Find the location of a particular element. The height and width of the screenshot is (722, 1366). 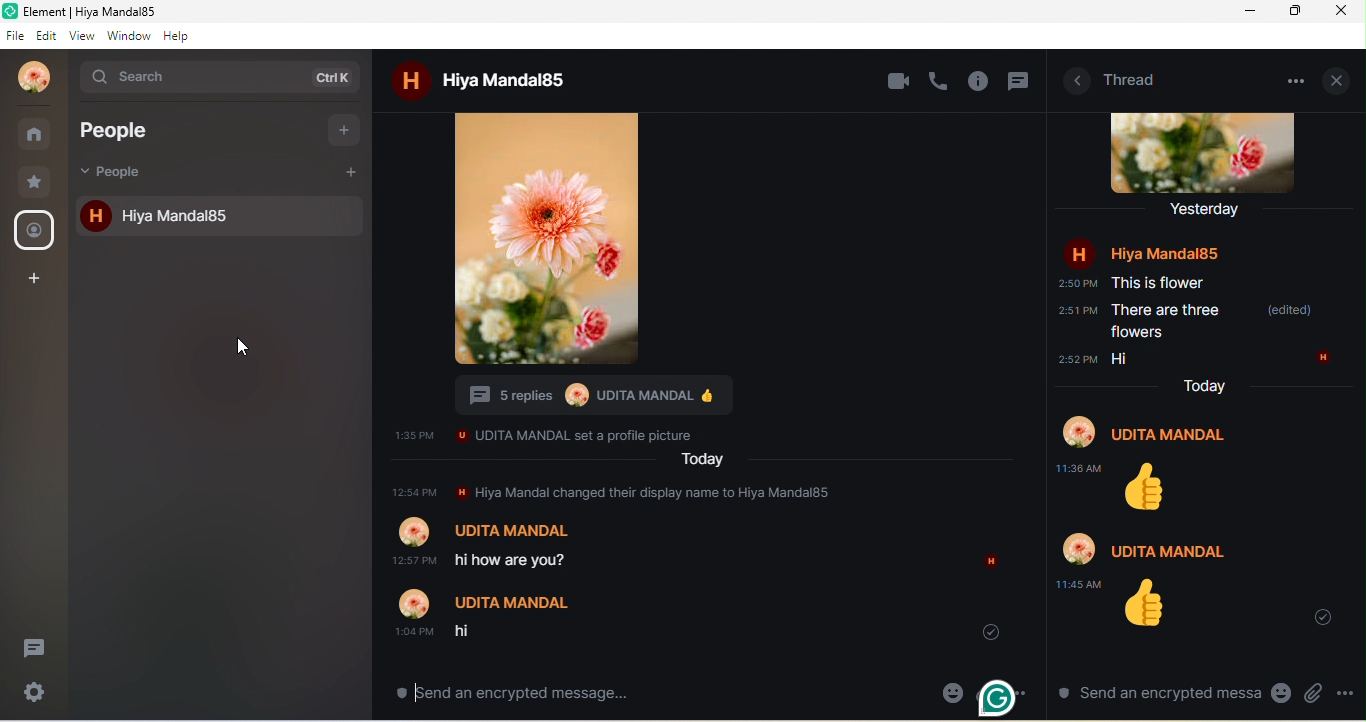

Logo is located at coordinates (11, 10).